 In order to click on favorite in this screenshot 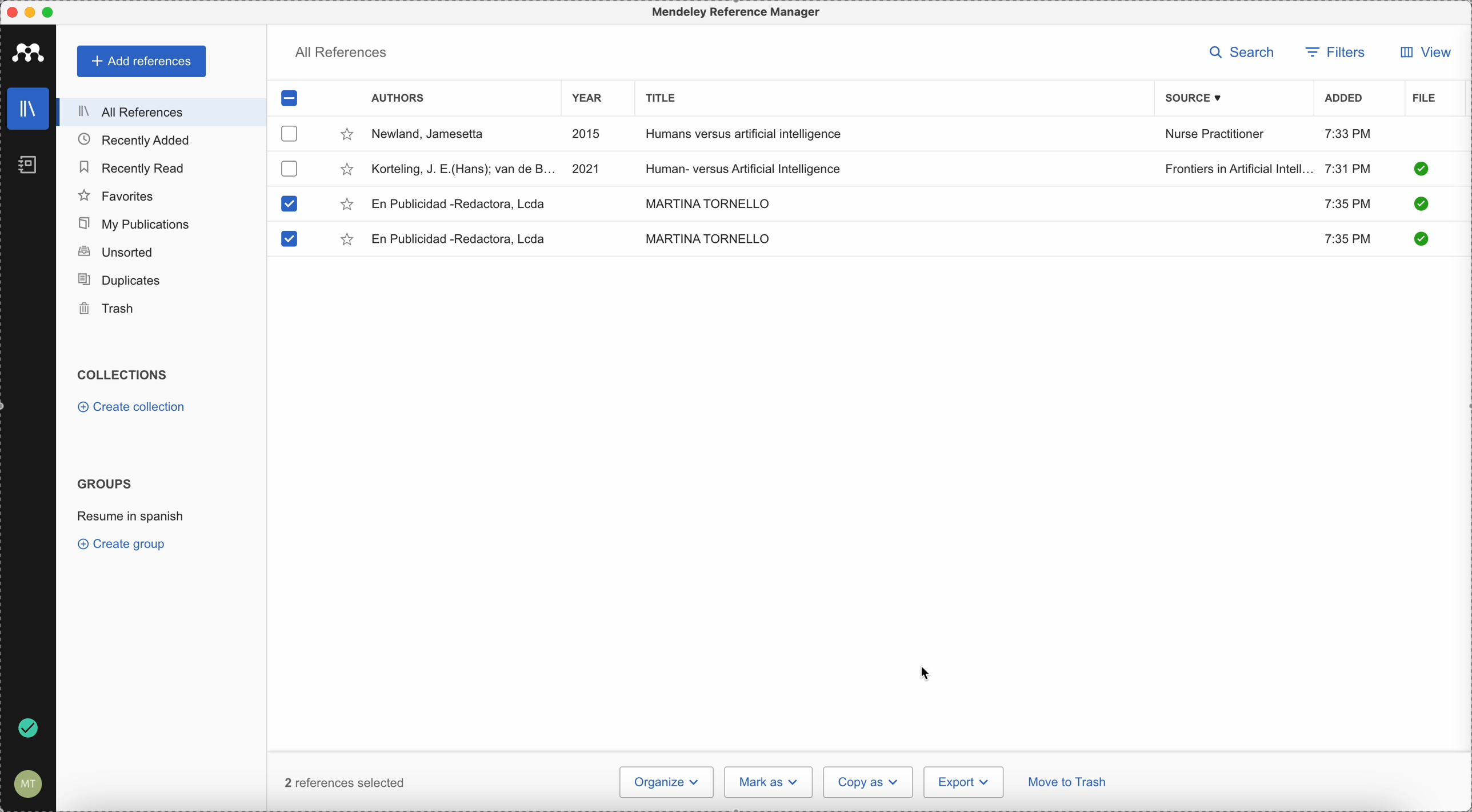, I will do `click(347, 137)`.